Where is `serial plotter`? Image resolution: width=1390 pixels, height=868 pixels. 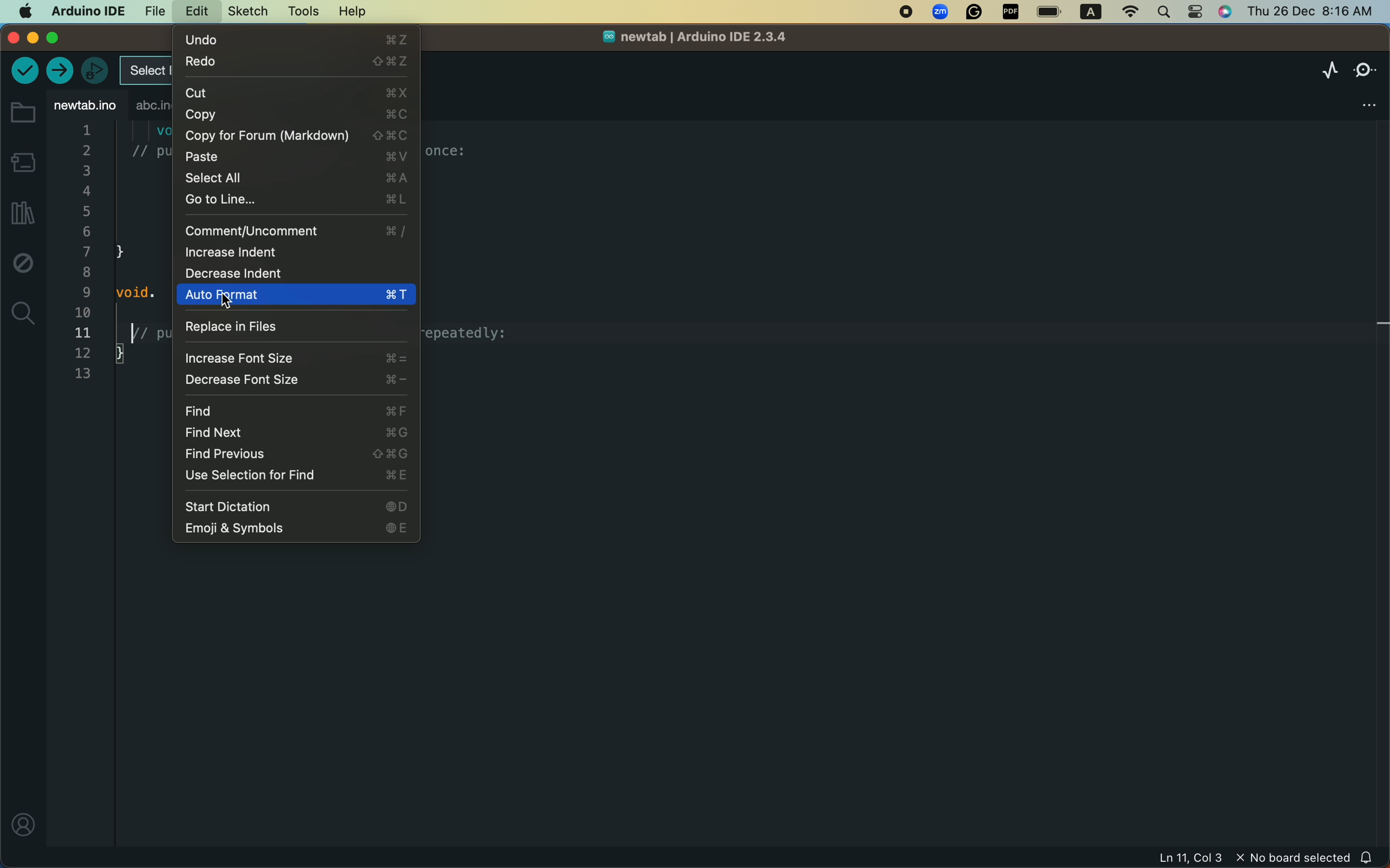 serial plotter is located at coordinates (1320, 71).